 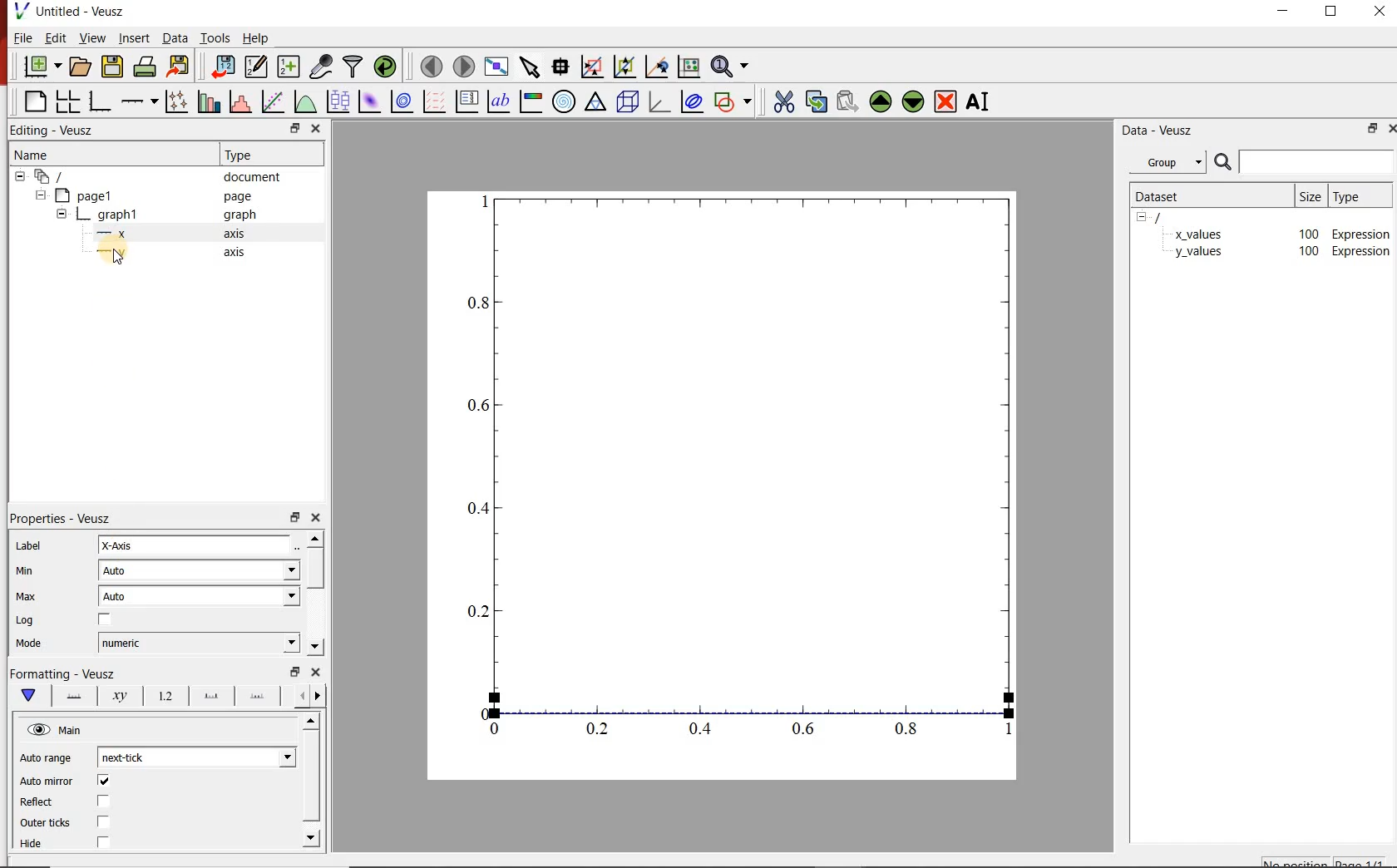 What do you see at coordinates (236, 195) in the screenshot?
I see `page` at bounding box center [236, 195].